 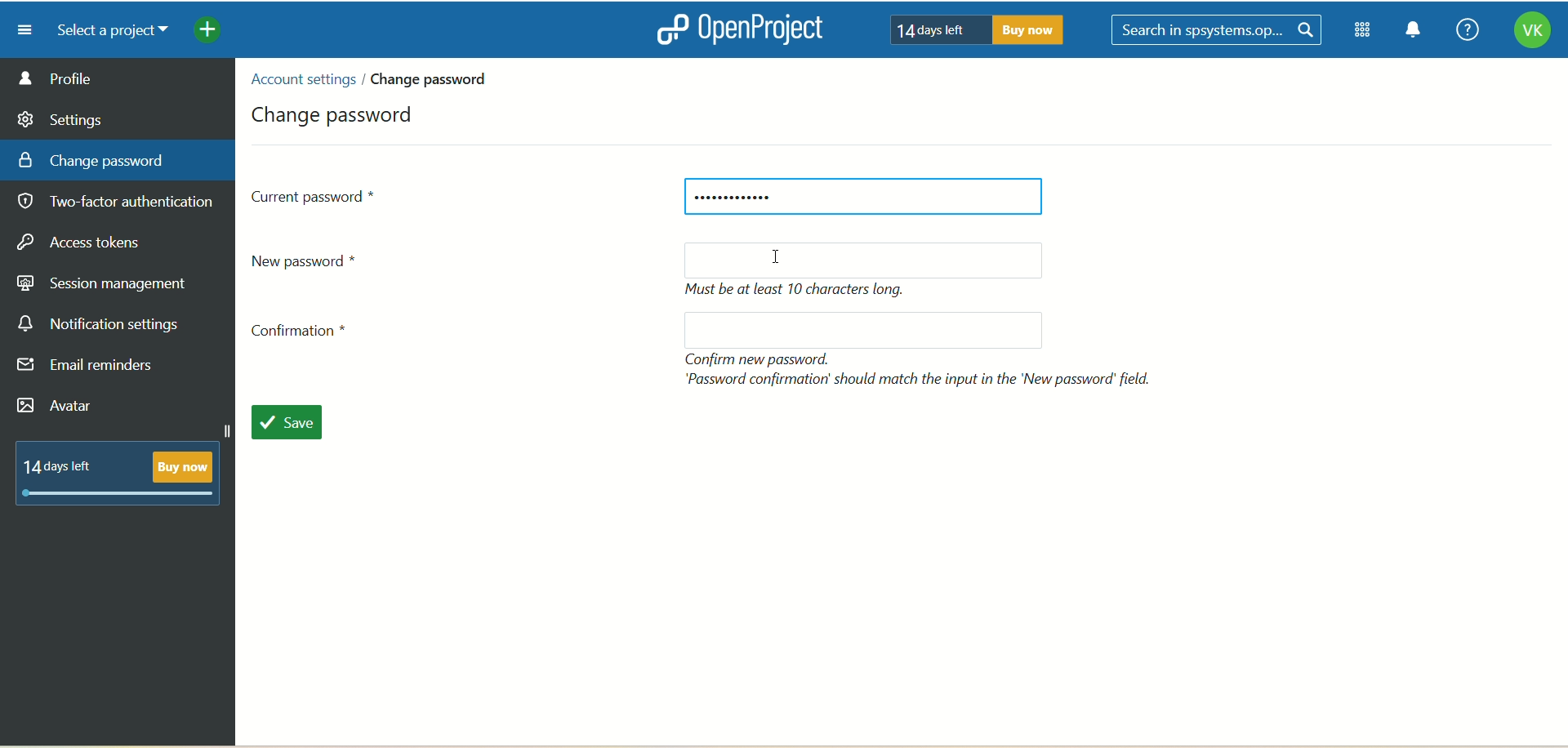 I want to click on current password, so click(x=315, y=195).